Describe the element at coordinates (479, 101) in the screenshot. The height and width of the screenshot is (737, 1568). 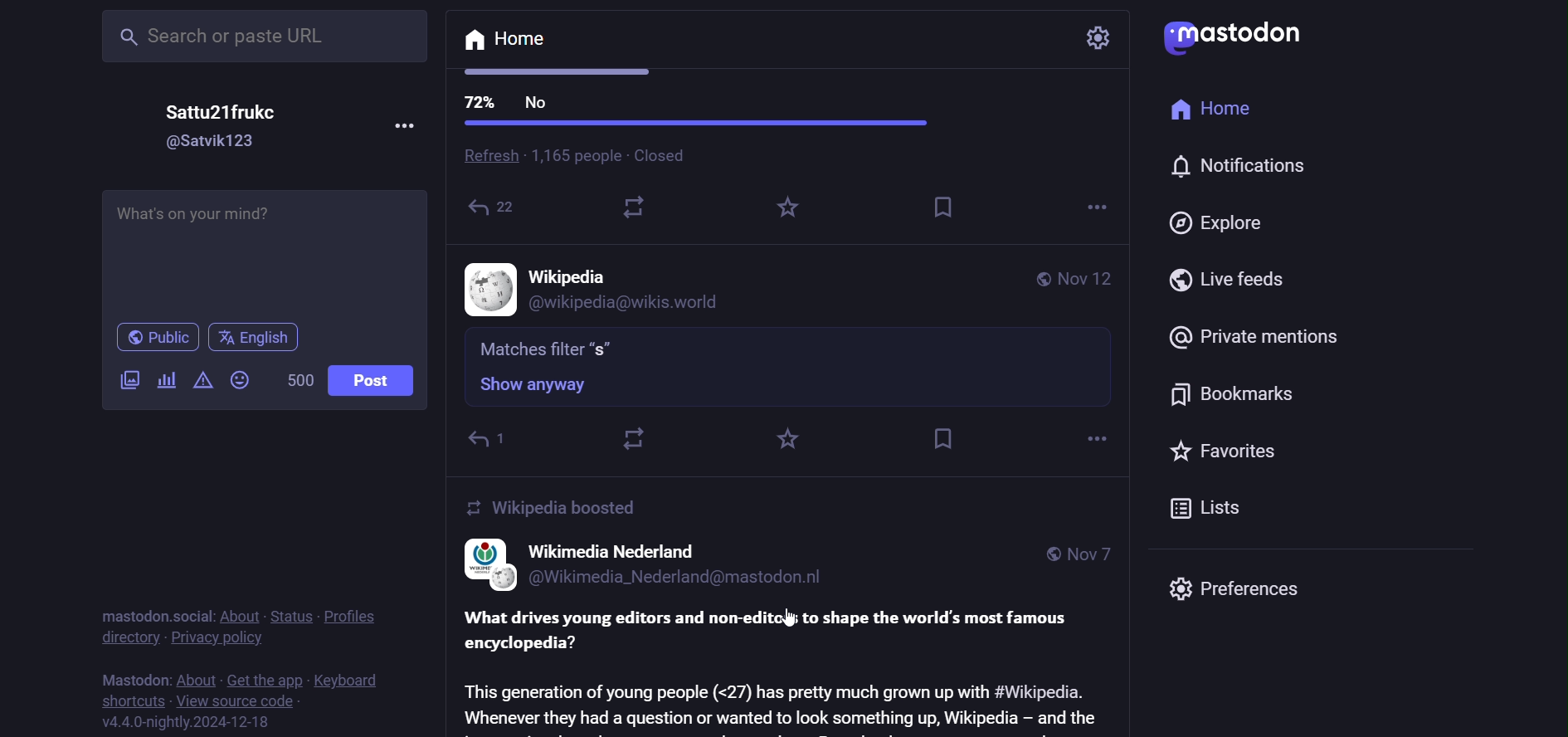
I see `72%` at that location.